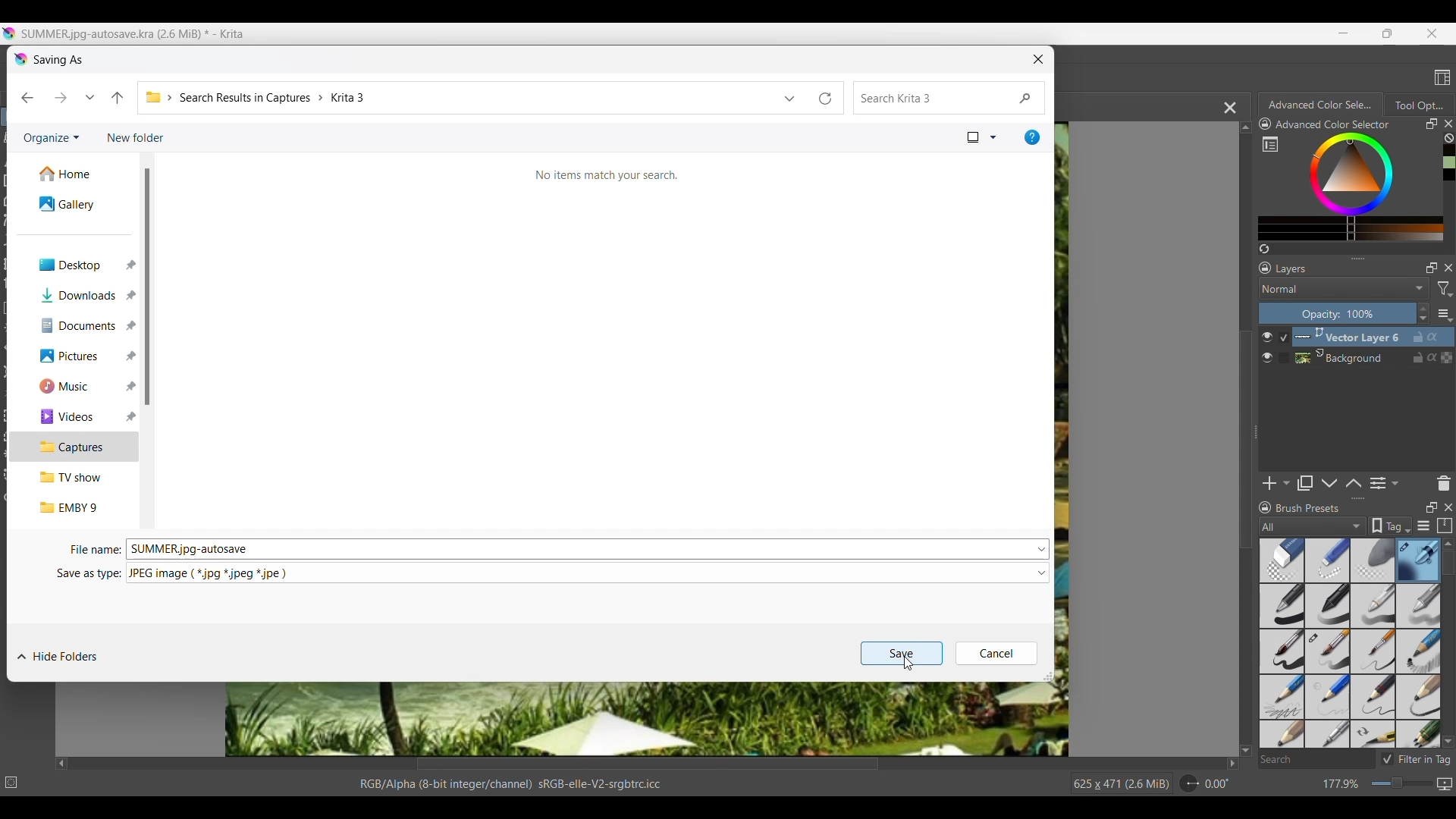 The image size is (1456, 819). Describe the element at coordinates (135, 34) in the screenshot. I see `SUMMER.jpg-autosave.kra(2.6MB)*-Krita` at that location.